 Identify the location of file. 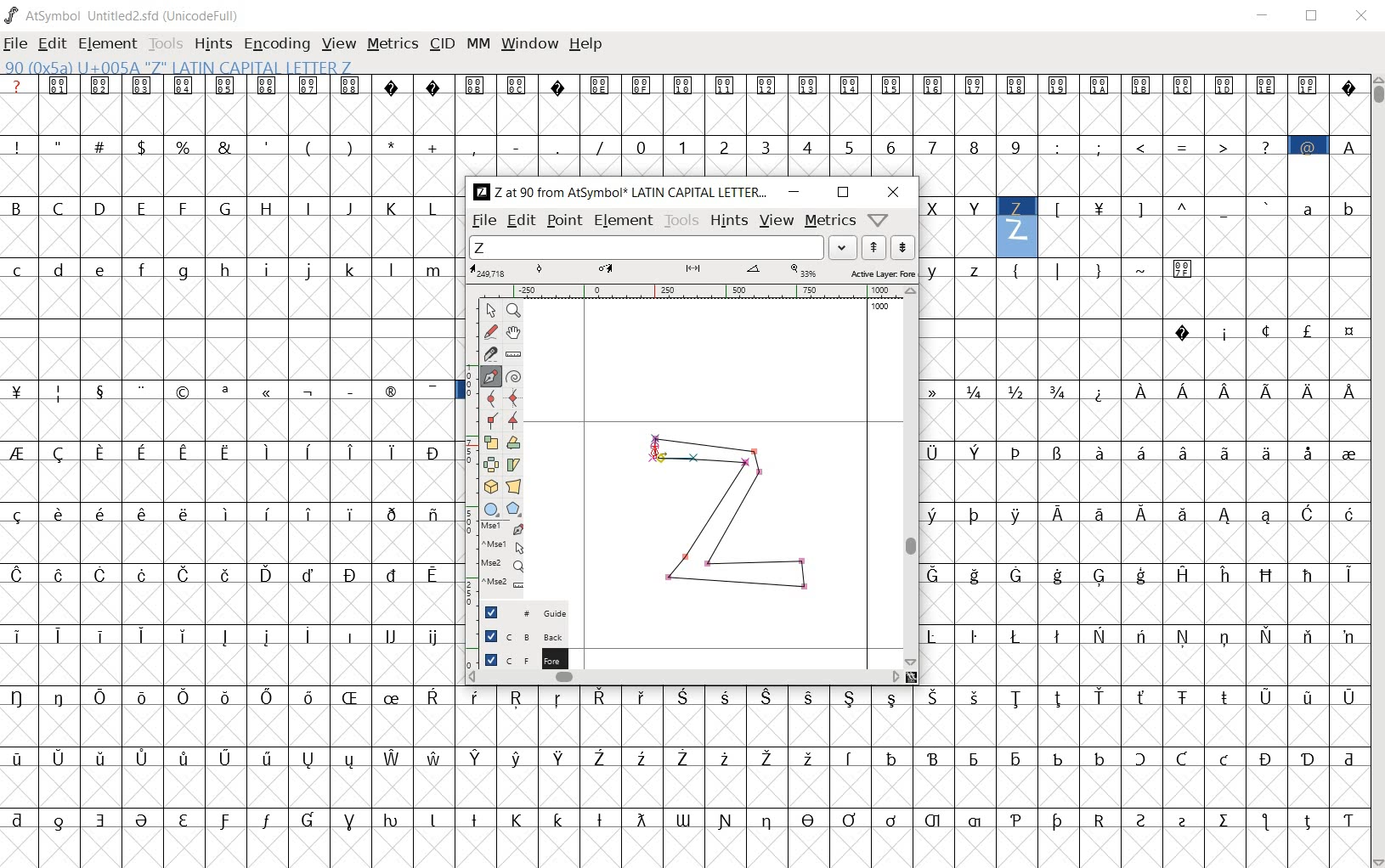
(483, 222).